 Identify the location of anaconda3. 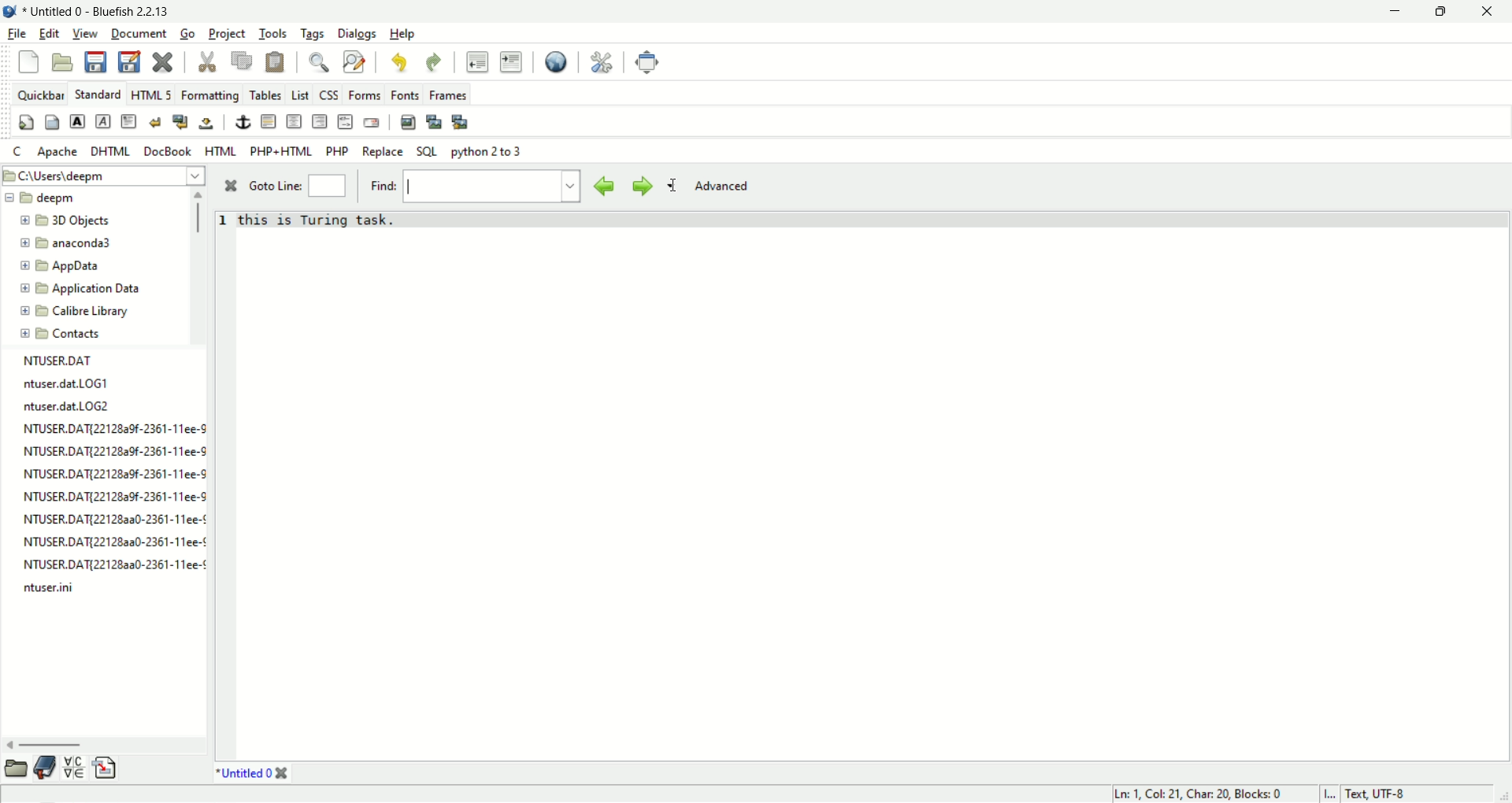
(74, 244).